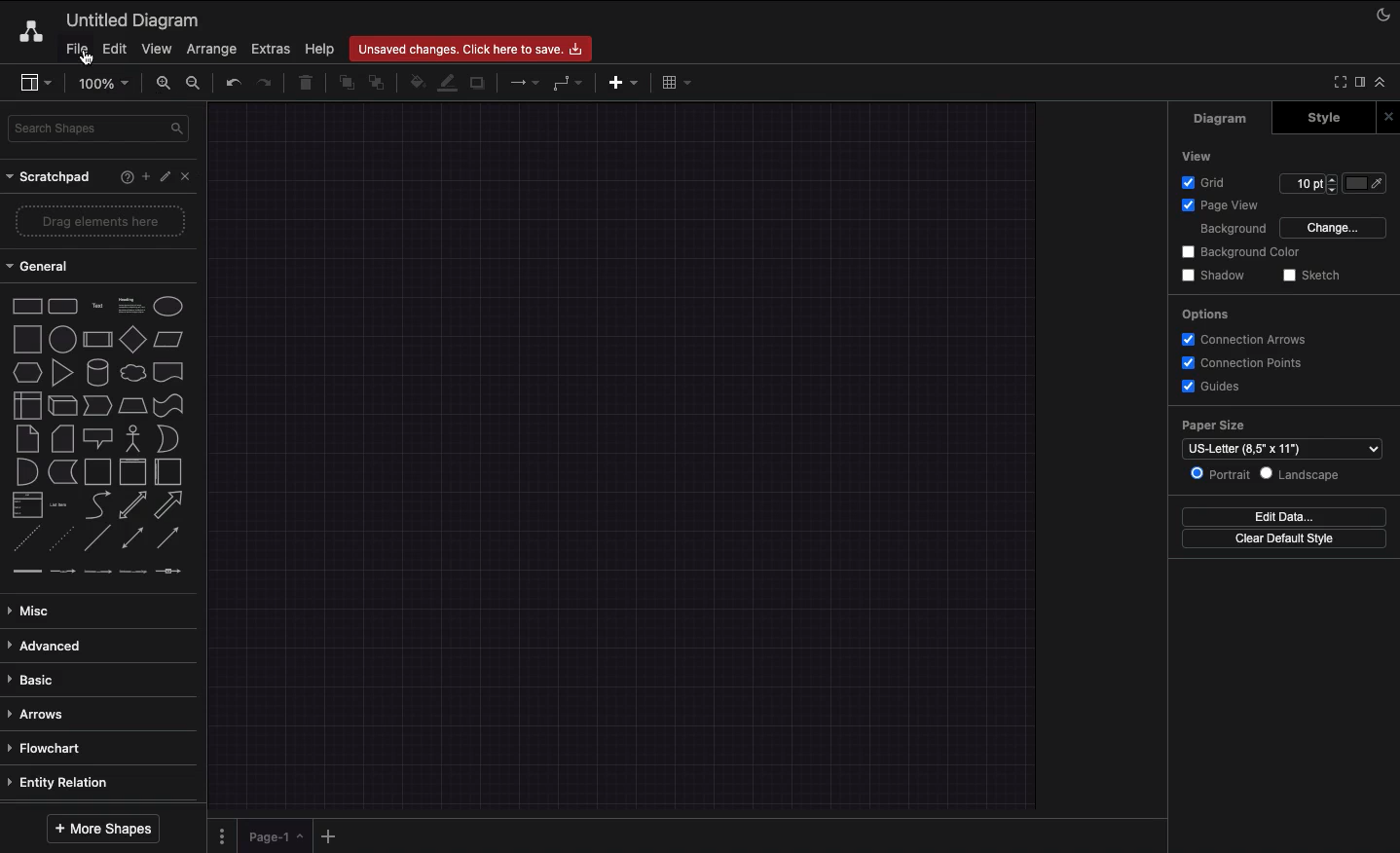  I want to click on Cloud, so click(131, 373).